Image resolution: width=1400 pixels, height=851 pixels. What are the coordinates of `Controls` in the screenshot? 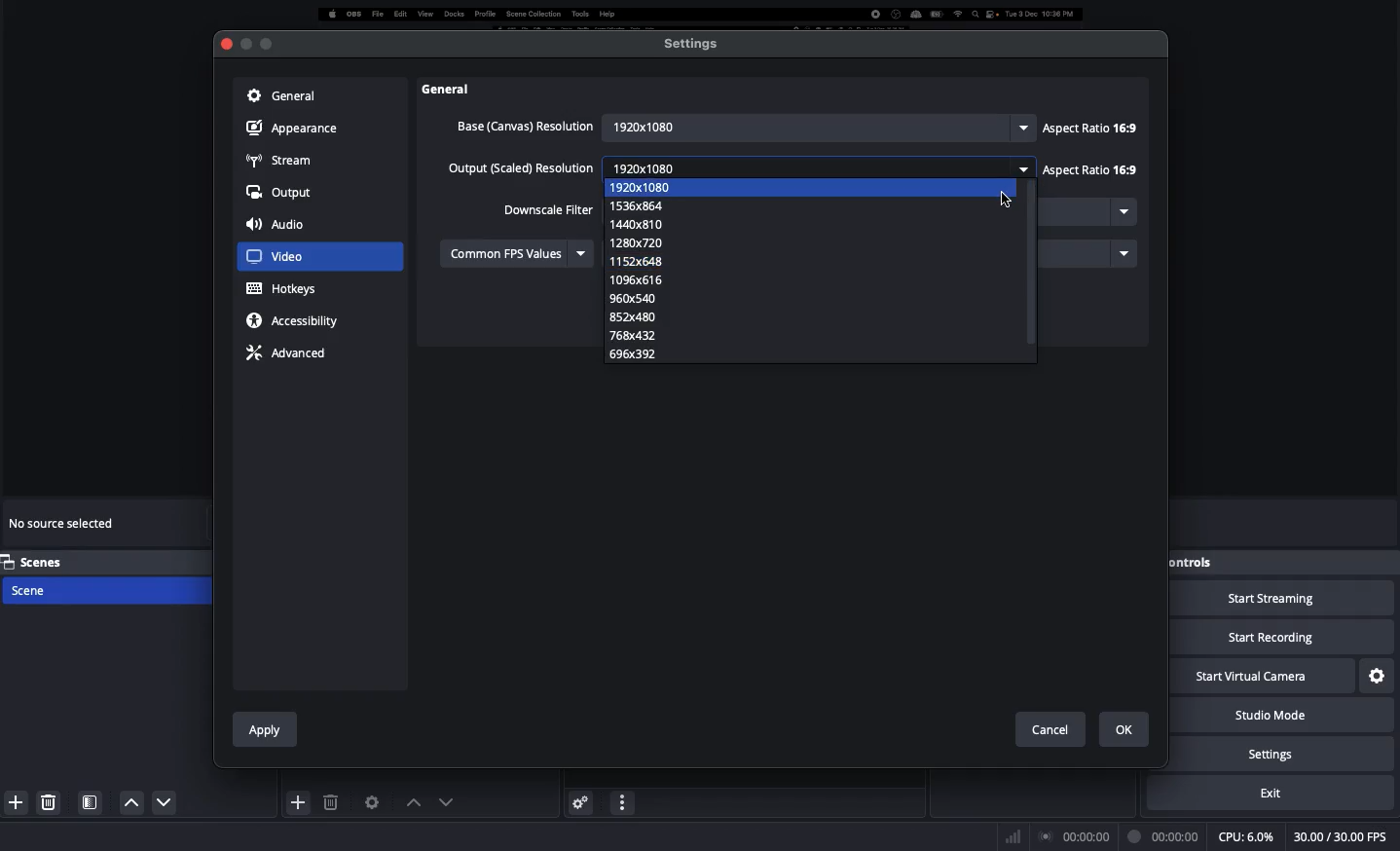 It's located at (1195, 562).